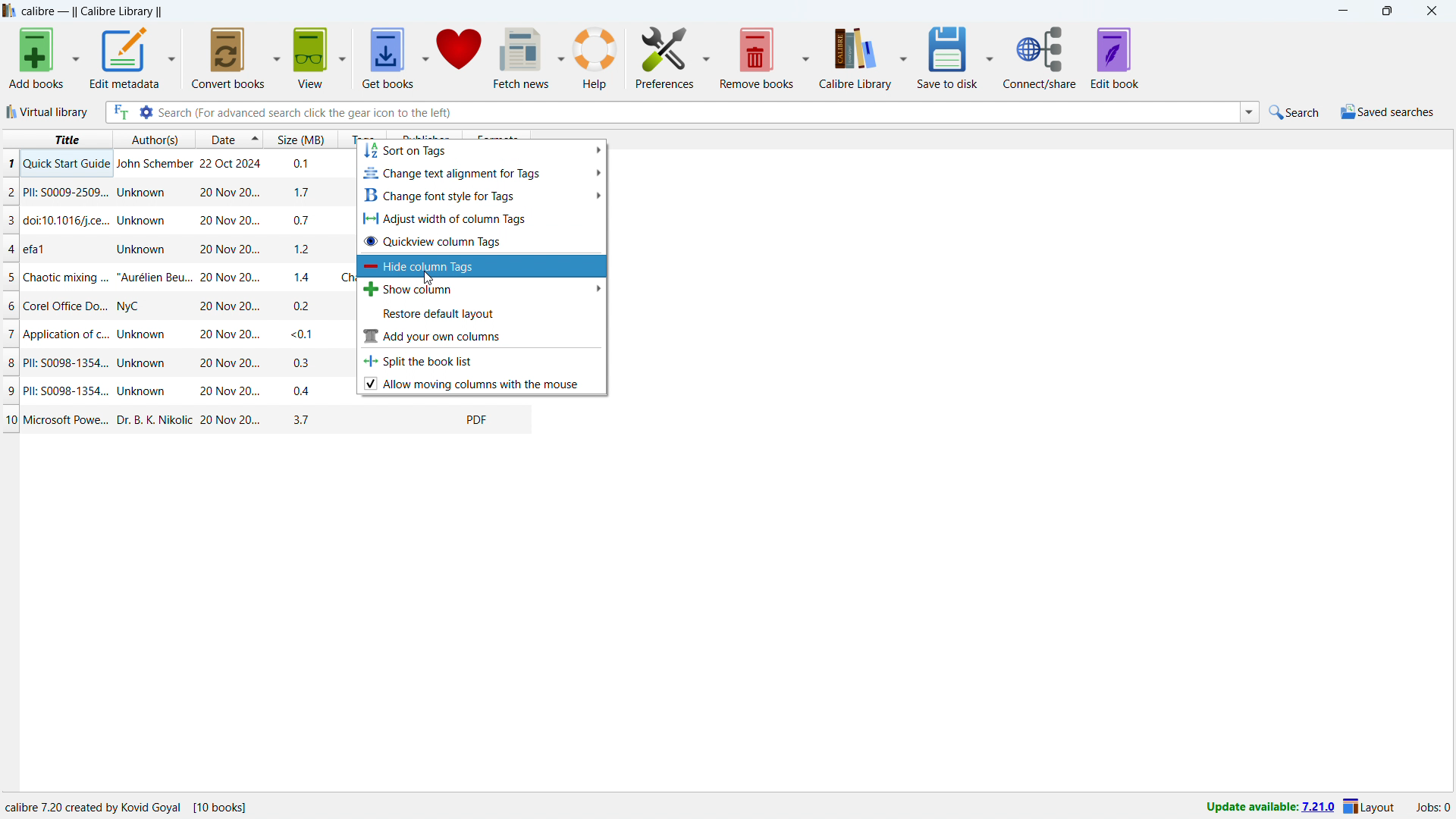  I want to click on view, so click(310, 57).